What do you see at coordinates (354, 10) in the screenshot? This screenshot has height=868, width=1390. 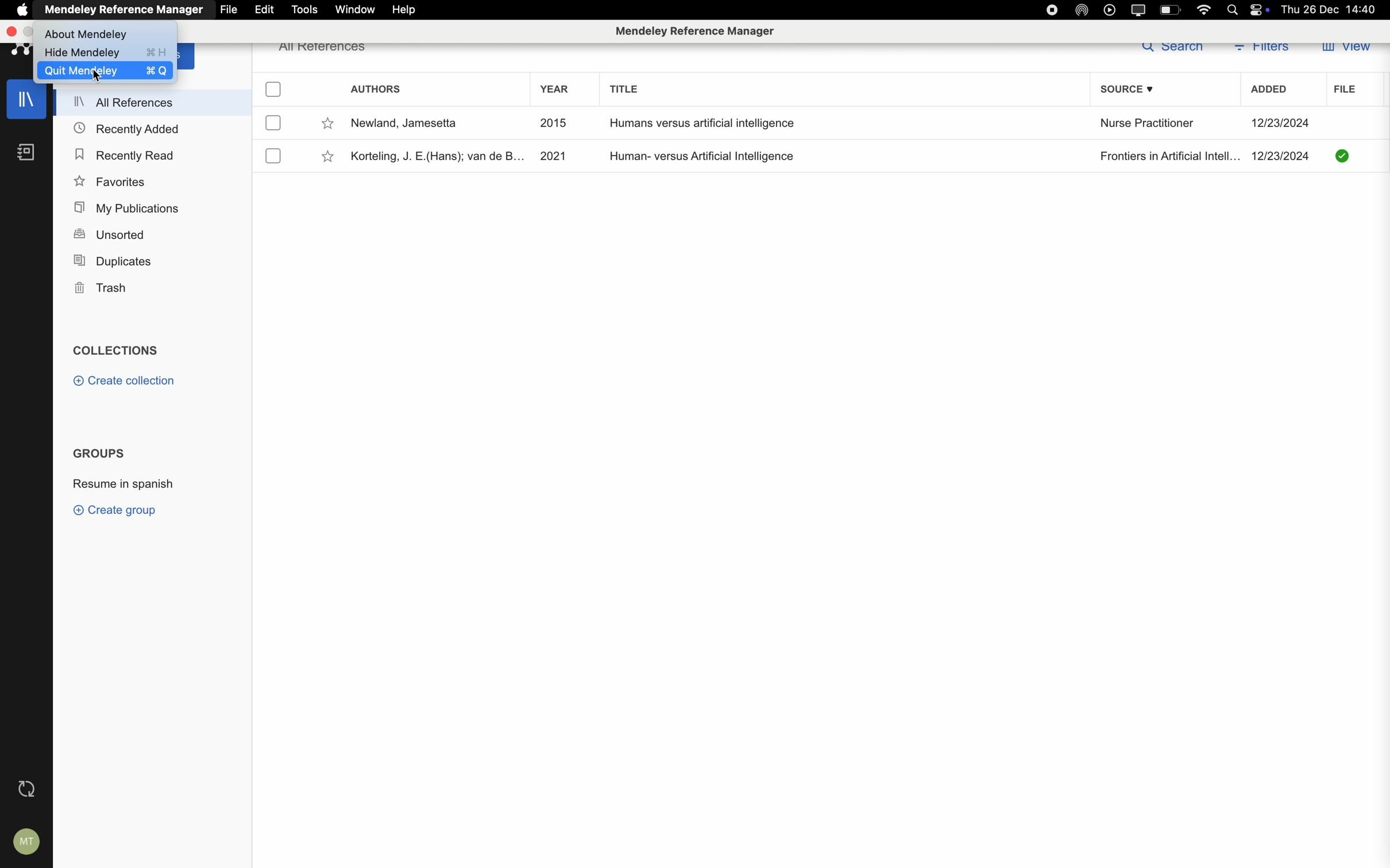 I see `window` at bounding box center [354, 10].